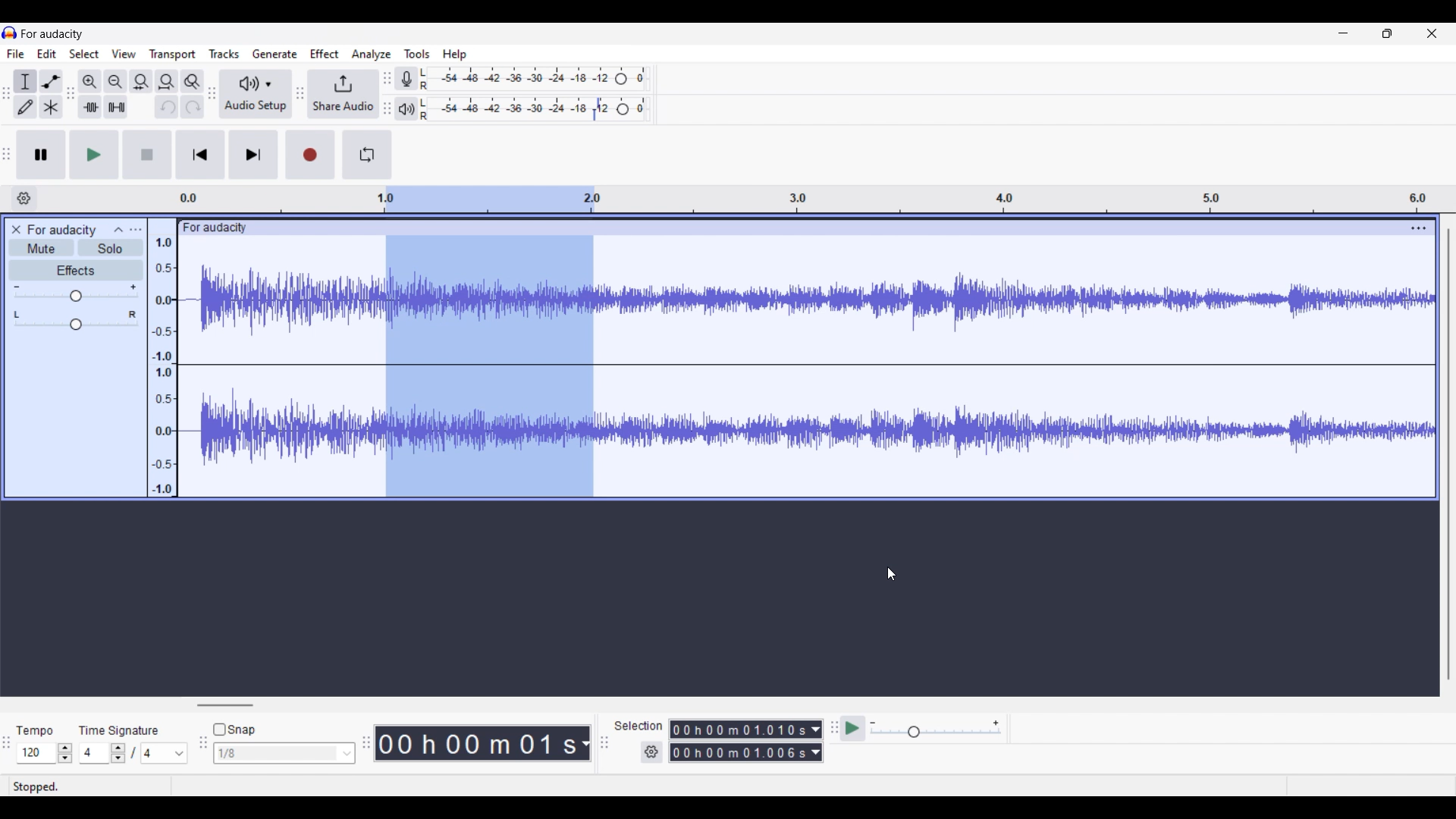  What do you see at coordinates (90, 82) in the screenshot?
I see `Zoom in` at bounding box center [90, 82].